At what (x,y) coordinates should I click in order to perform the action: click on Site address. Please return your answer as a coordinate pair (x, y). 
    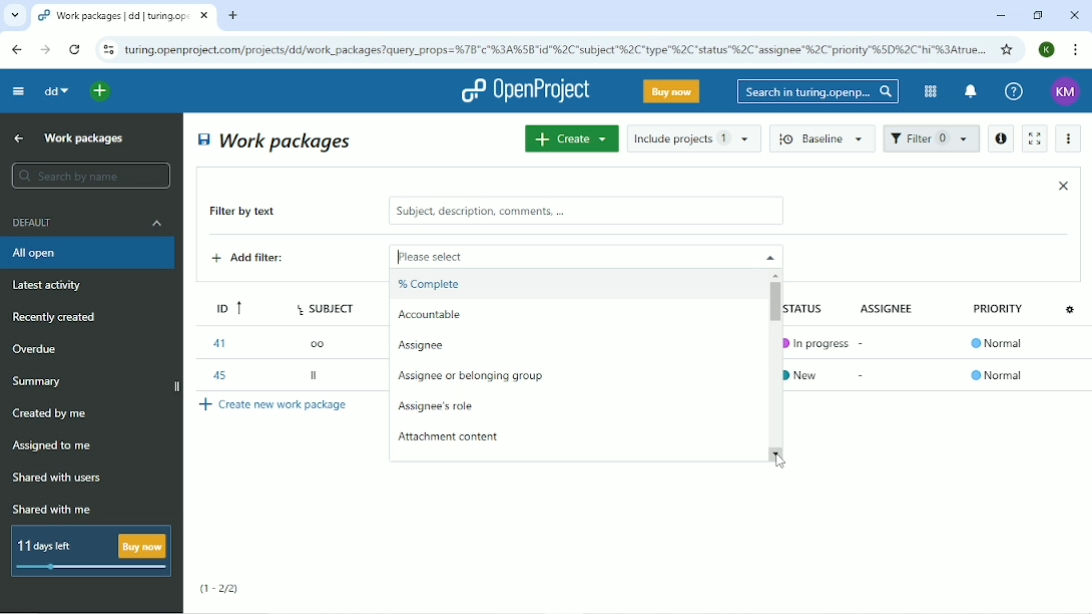
    Looking at the image, I should click on (555, 48).